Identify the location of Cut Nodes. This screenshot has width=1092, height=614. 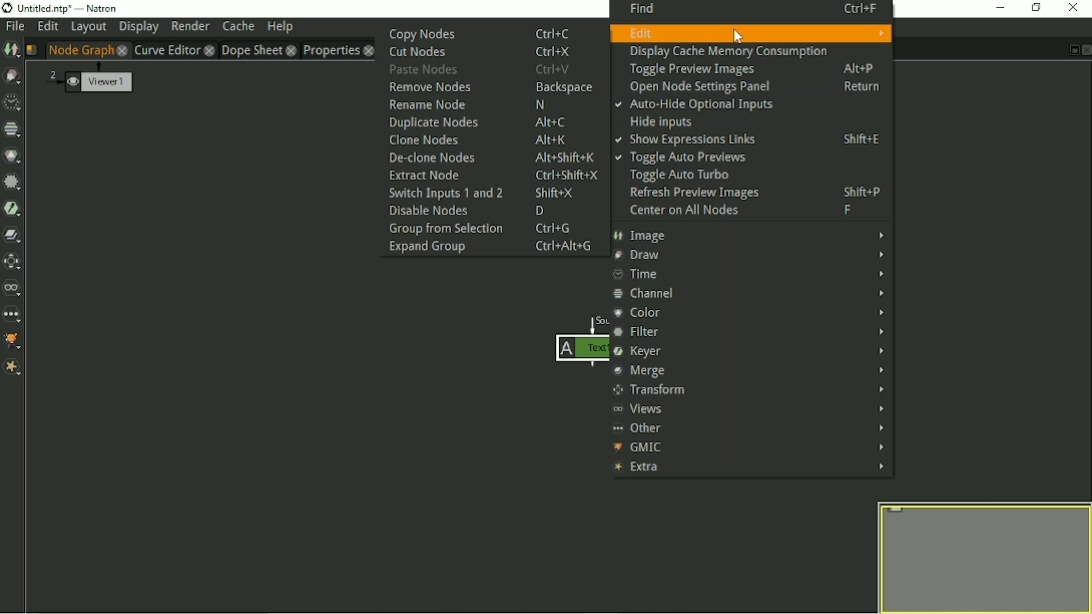
(479, 52).